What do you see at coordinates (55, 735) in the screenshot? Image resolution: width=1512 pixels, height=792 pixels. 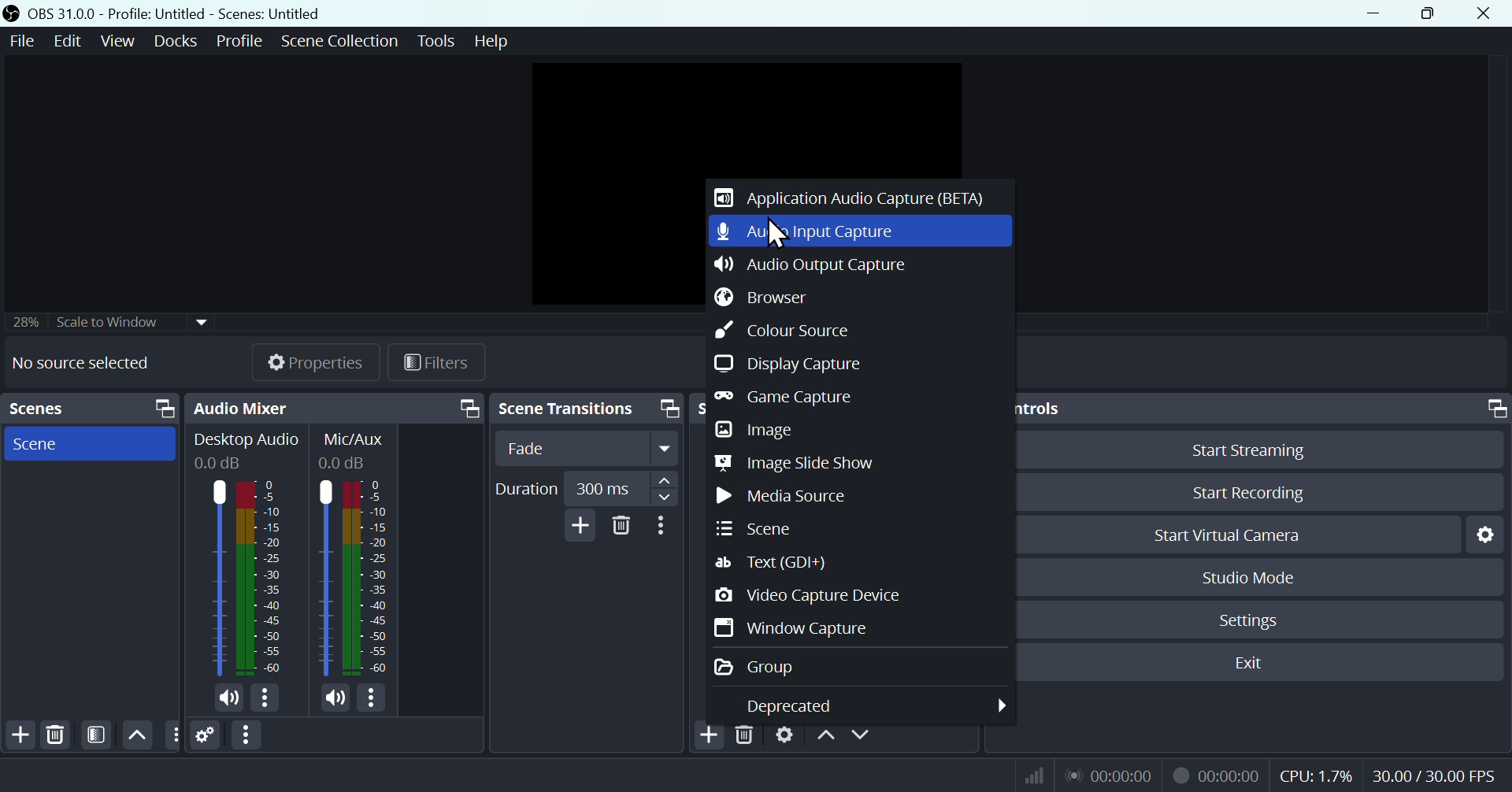 I see `Delete` at bounding box center [55, 735].